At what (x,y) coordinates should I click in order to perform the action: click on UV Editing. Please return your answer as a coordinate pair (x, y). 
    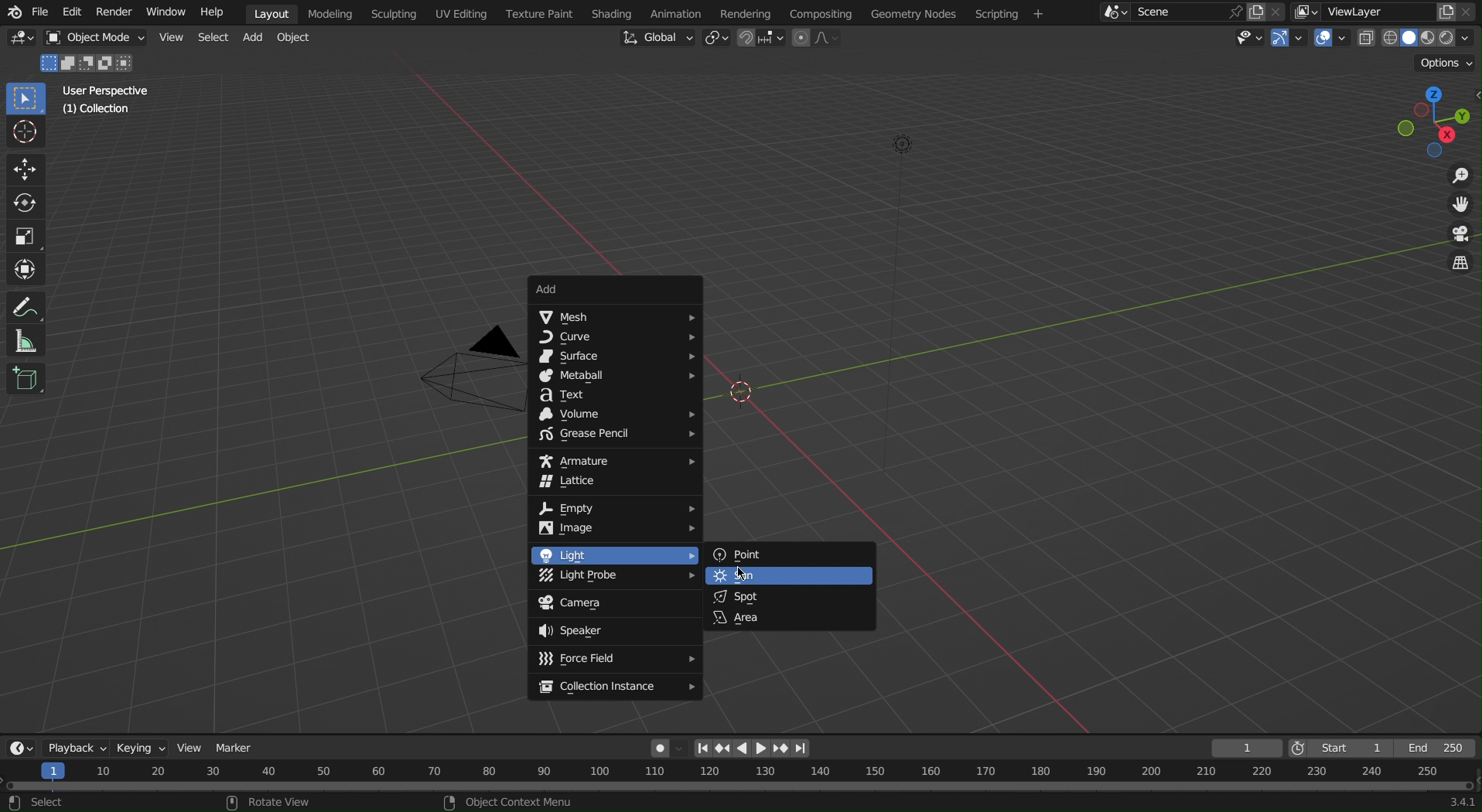
    Looking at the image, I should click on (463, 13).